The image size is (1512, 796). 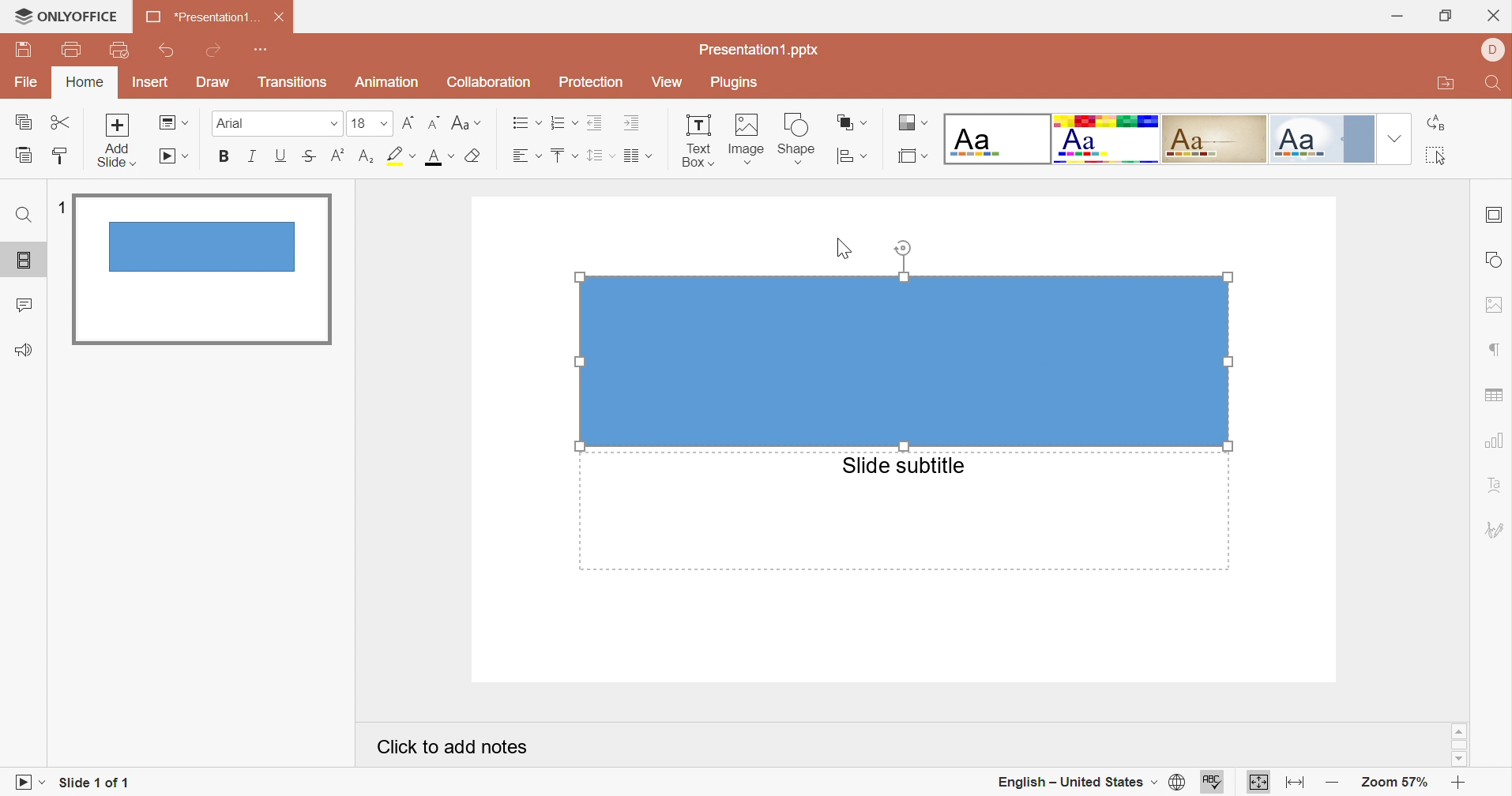 What do you see at coordinates (1447, 19) in the screenshot?
I see `Restore down` at bounding box center [1447, 19].